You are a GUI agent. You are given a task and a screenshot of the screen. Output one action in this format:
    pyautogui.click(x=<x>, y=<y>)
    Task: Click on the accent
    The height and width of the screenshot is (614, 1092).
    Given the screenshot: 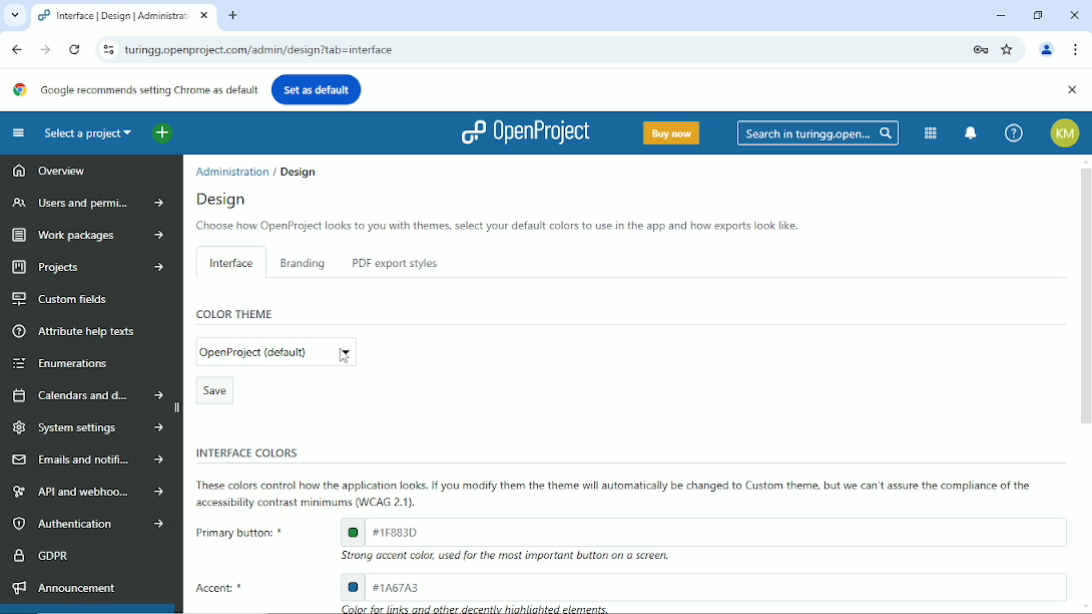 What is the action you would take?
    pyautogui.click(x=703, y=586)
    